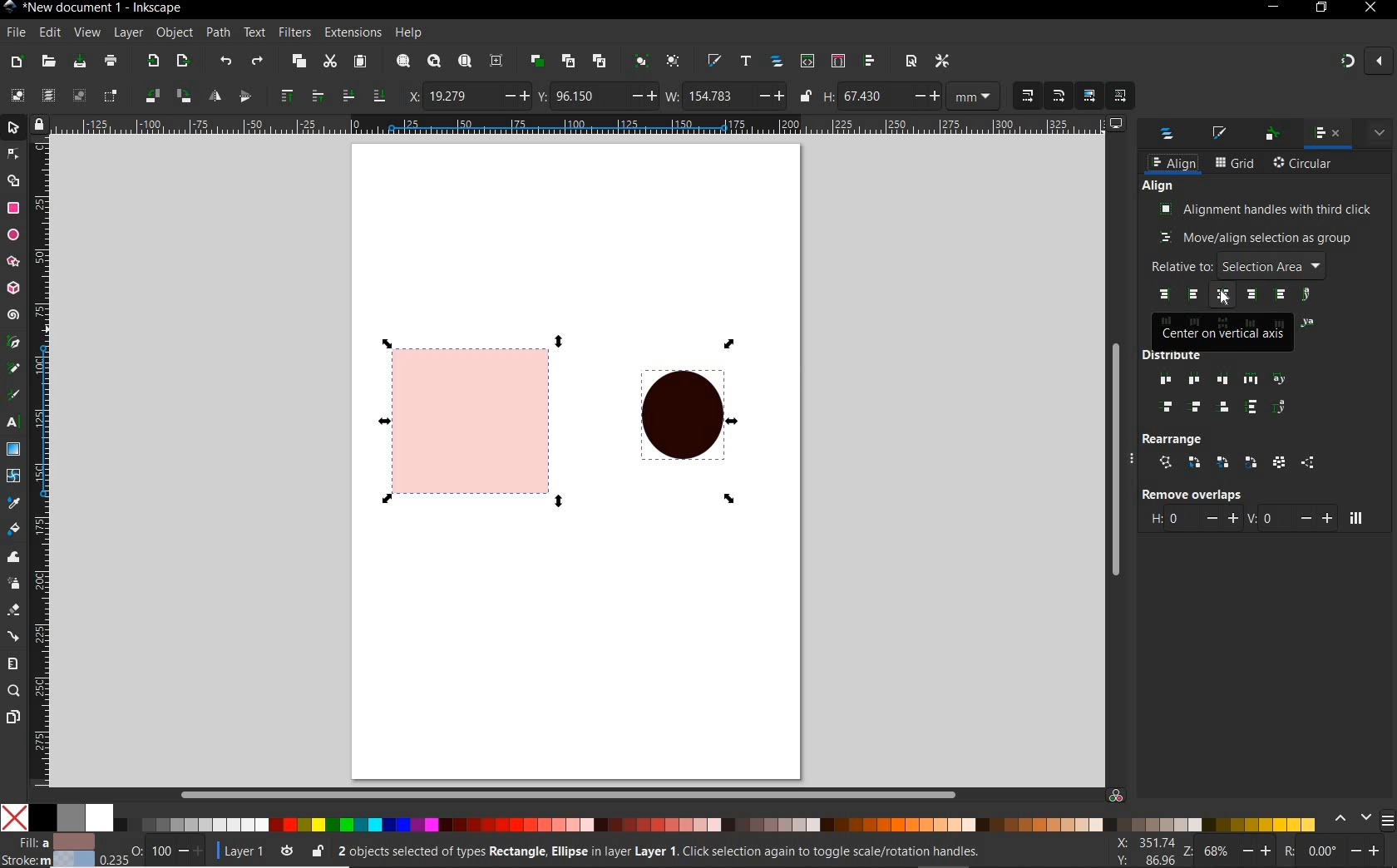 The width and height of the screenshot is (1397, 868). Describe the element at coordinates (643, 62) in the screenshot. I see `group` at that location.